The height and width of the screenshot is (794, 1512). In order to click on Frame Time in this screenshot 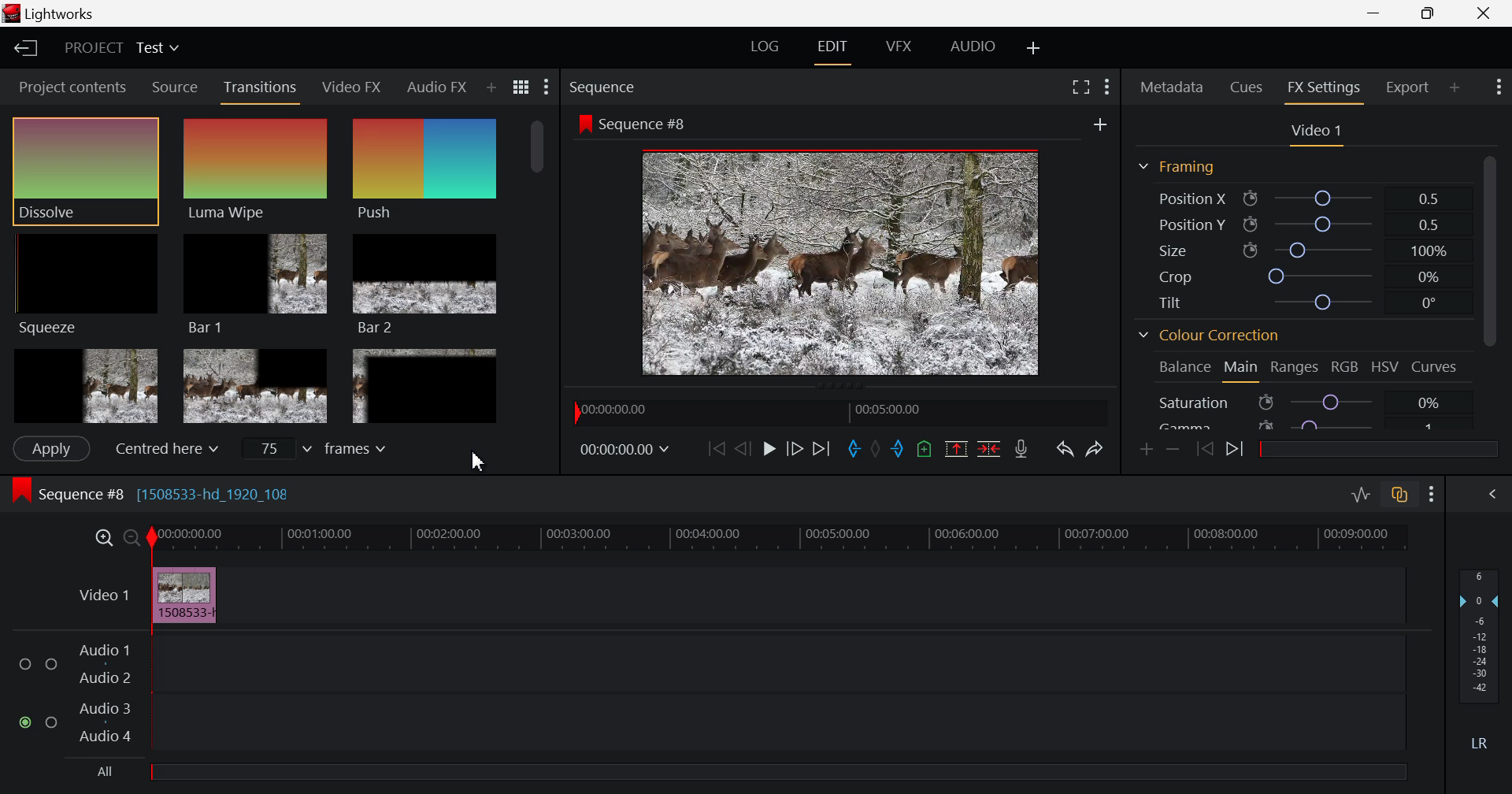, I will do `click(627, 452)`.